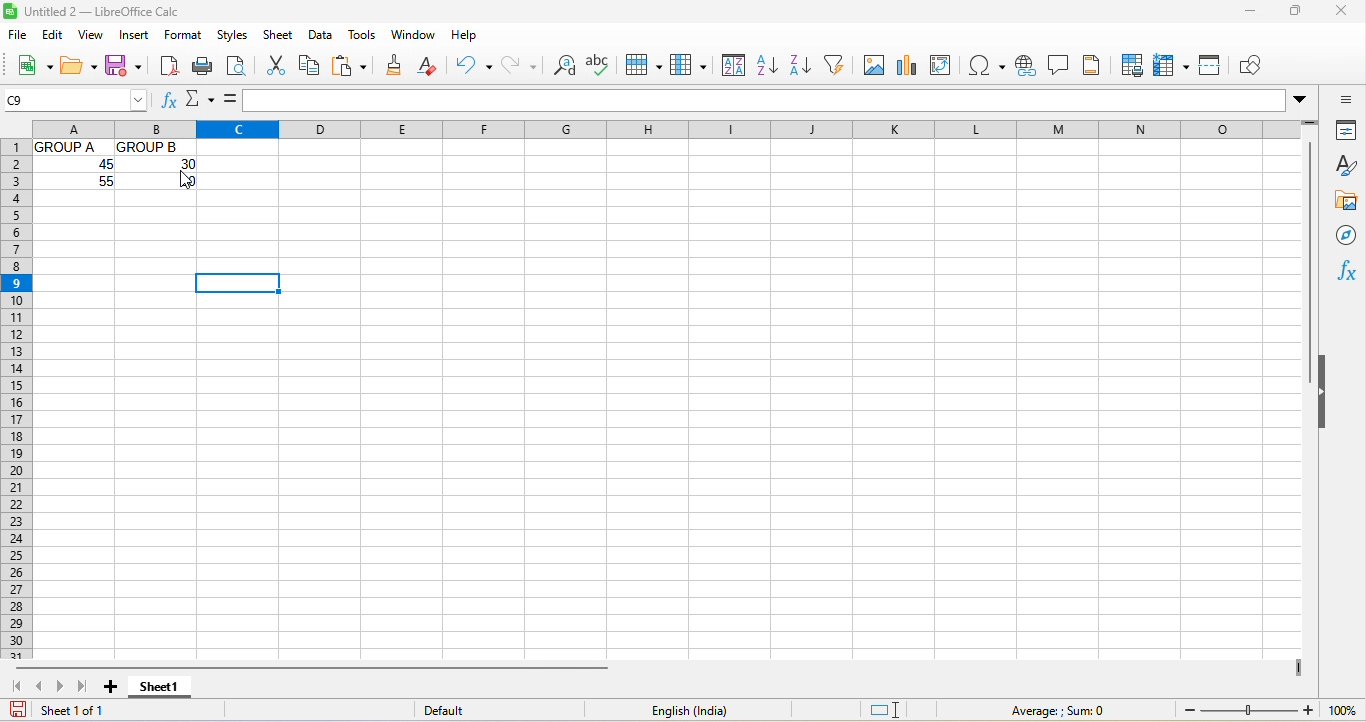 The height and width of the screenshot is (722, 1366). I want to click on file, so click(17, 36).